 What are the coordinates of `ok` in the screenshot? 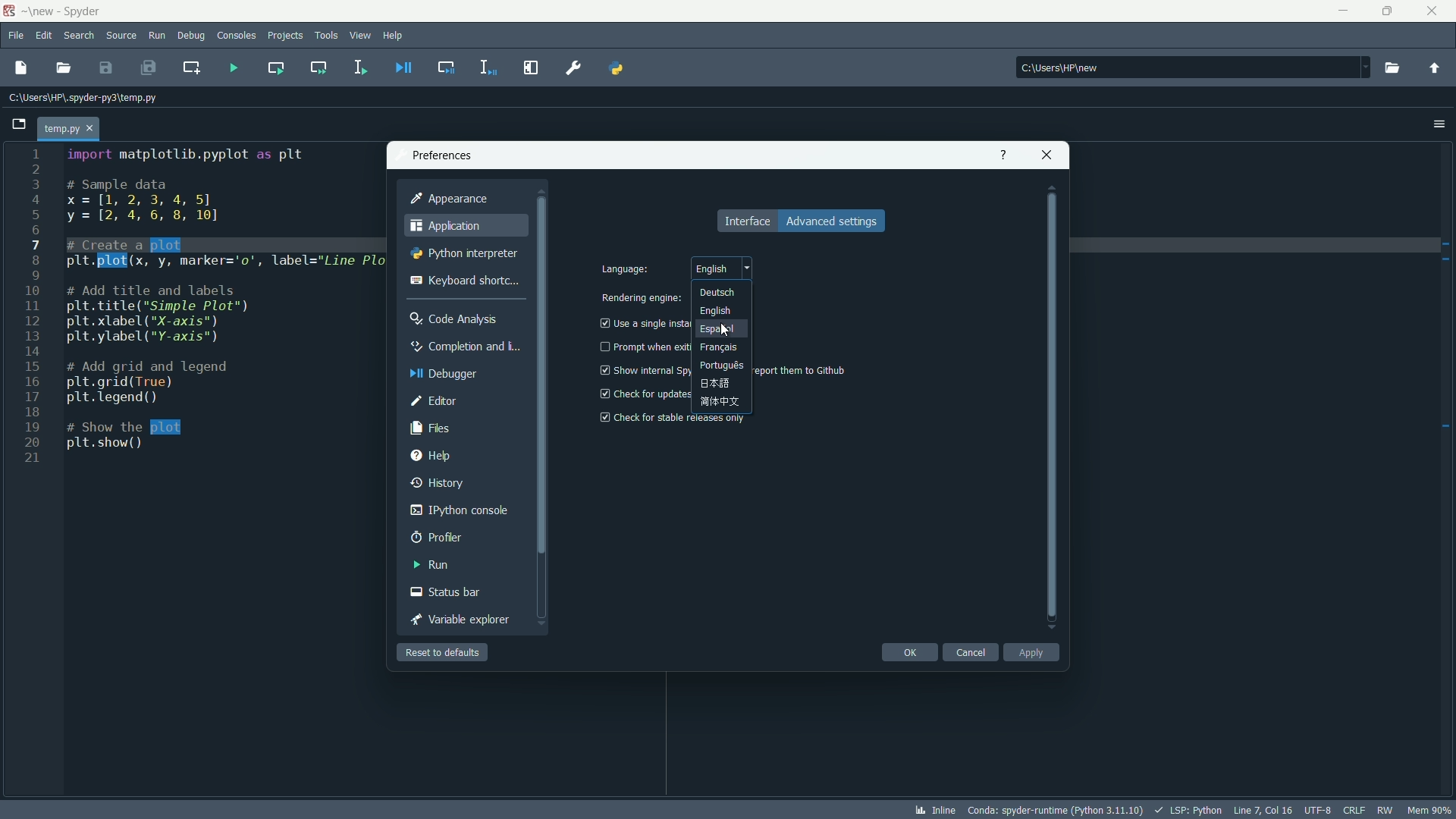 It's located at (908, 653).